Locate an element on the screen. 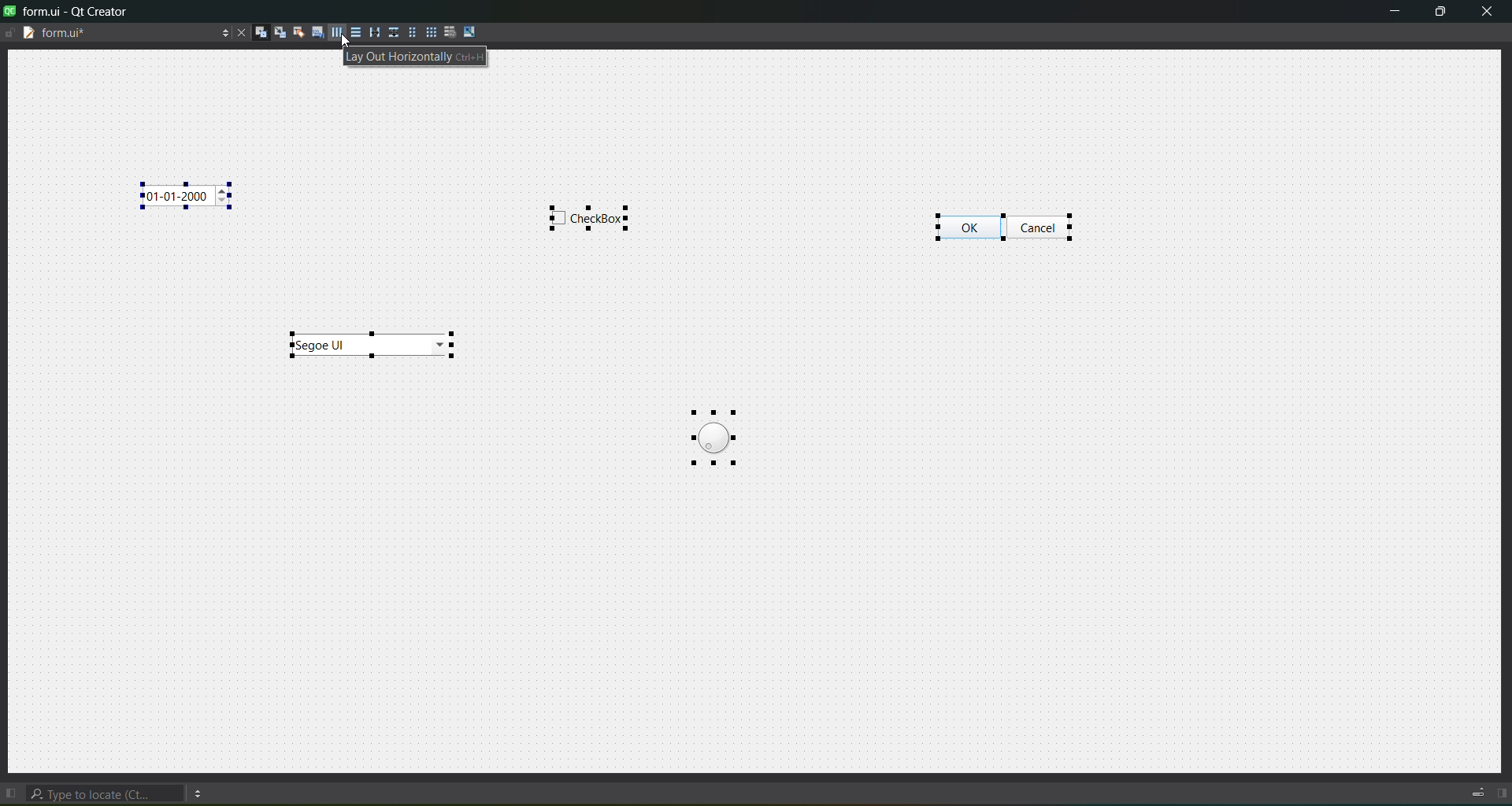 This screenshot has height=806, width=1512. buddies is located at coordinates (295, 32).